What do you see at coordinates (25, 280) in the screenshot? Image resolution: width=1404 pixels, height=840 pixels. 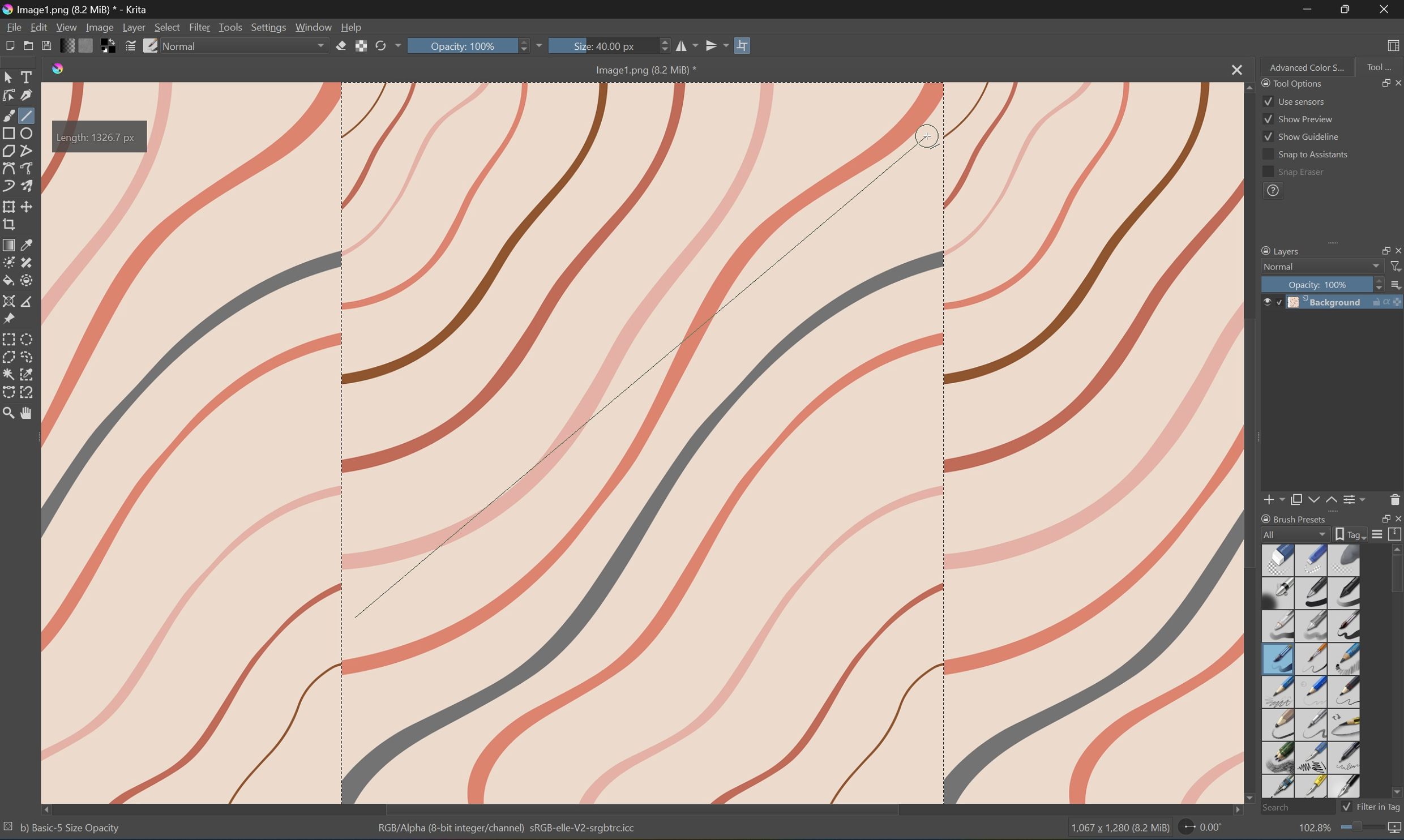 I see `Enclose and fill tool` at bounding box center [25, 280].